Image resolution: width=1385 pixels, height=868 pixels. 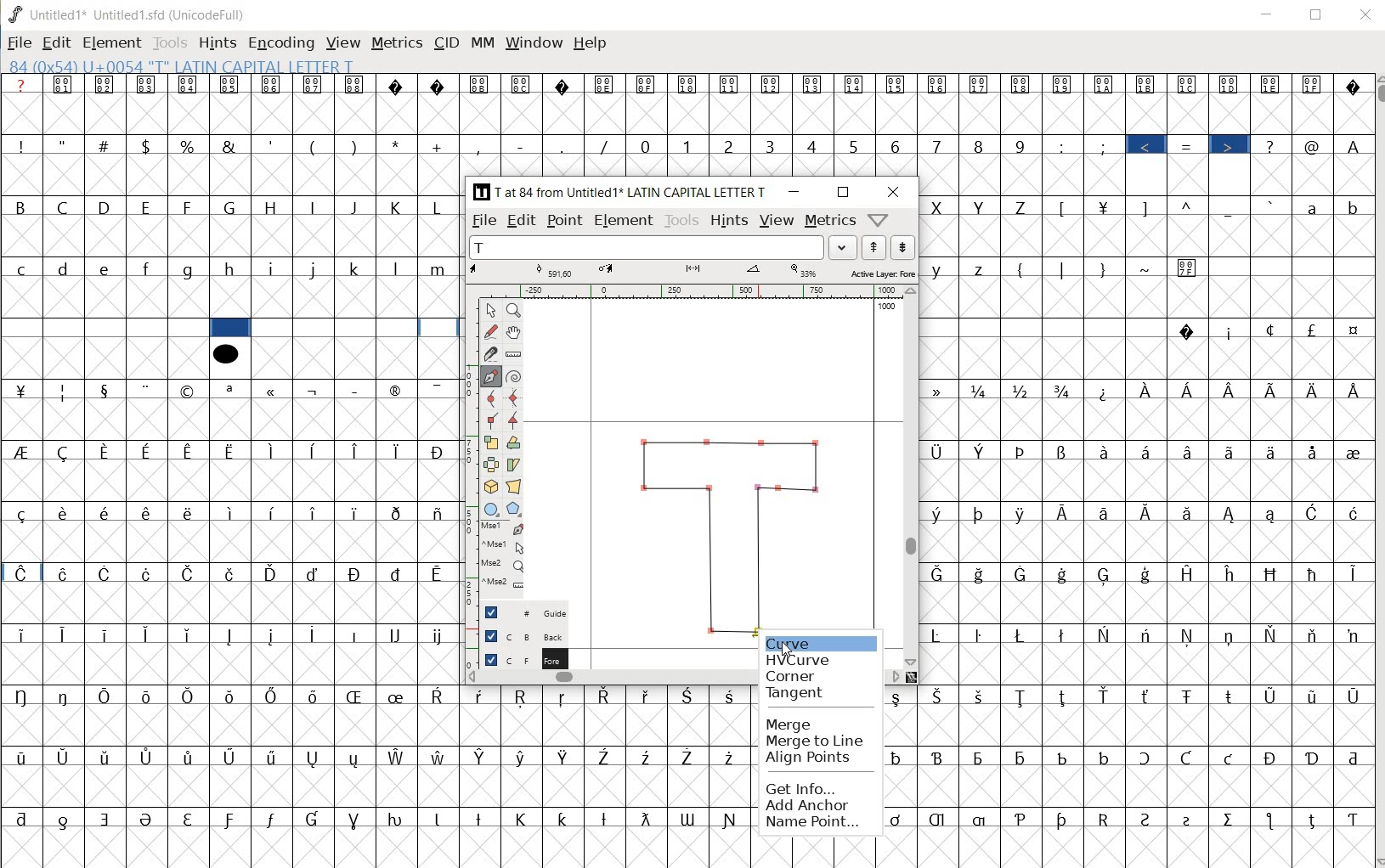 I want to click on `, so click(x=1271, y=206).